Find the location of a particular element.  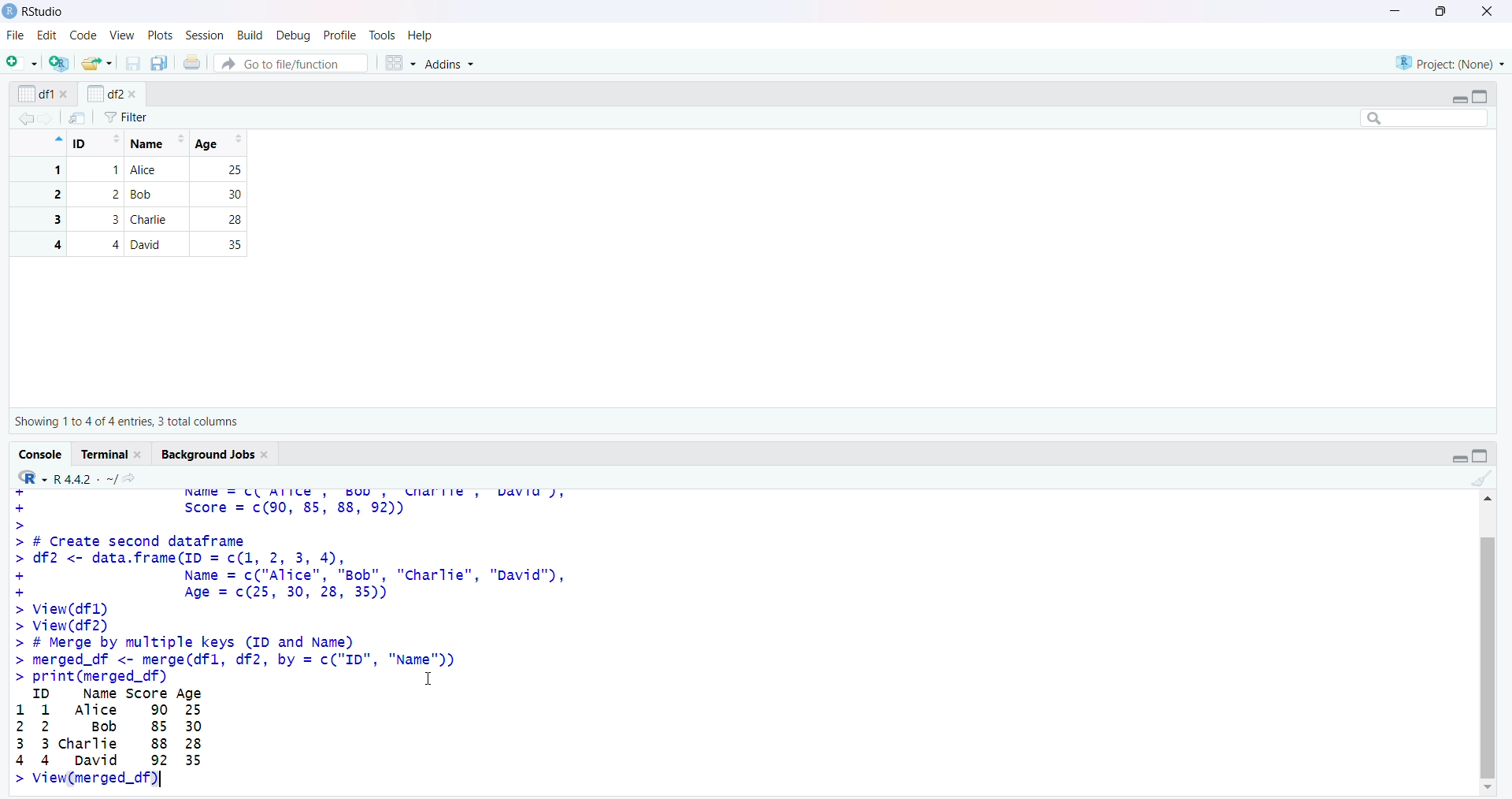

R 4.4.2  ~/ is located at coordinates (85, 479).